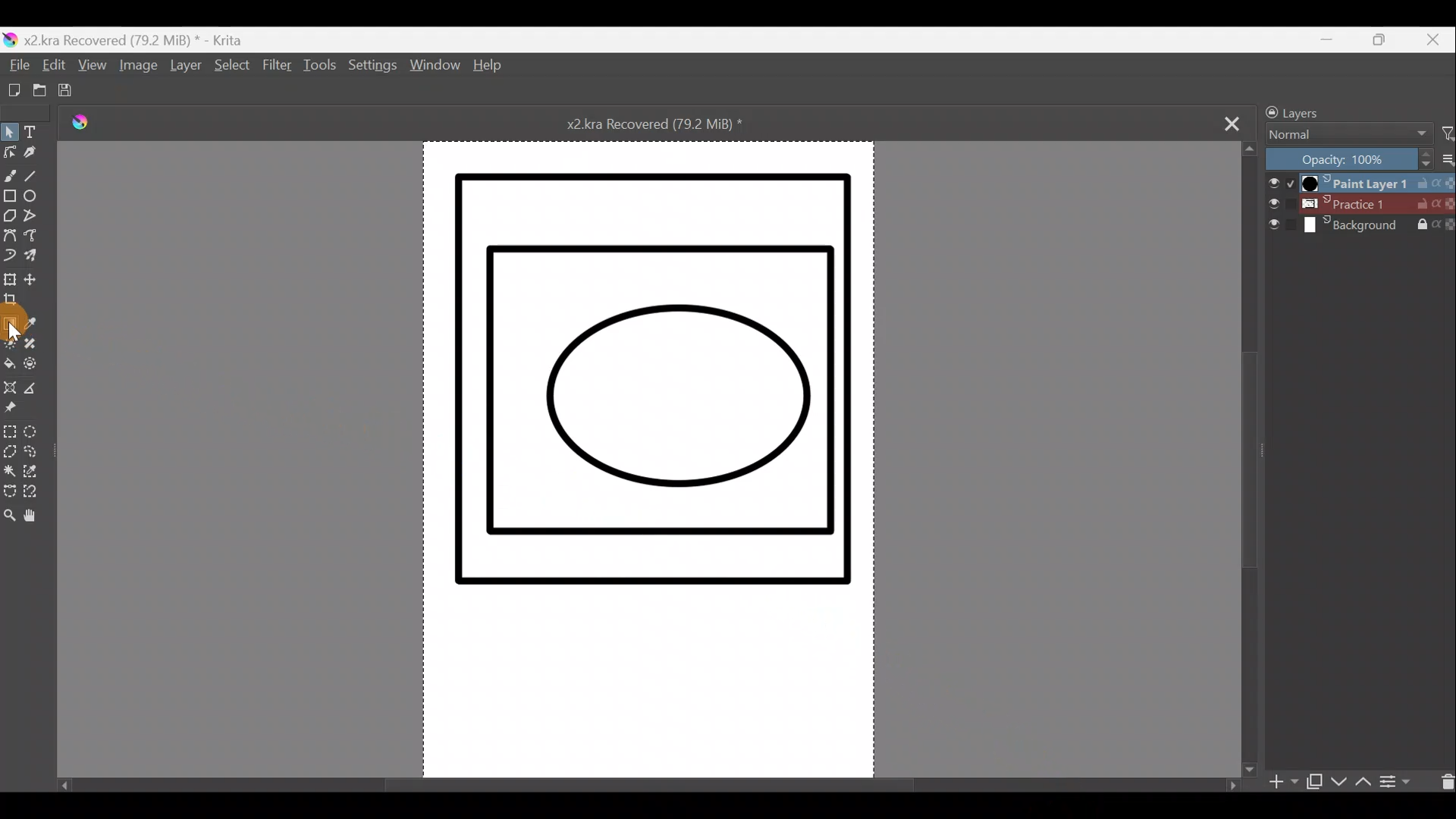 The image size is (1456, 819). I want to click on Fill a contiguous area of colour with colour/fill a selection, so click(9, 366).